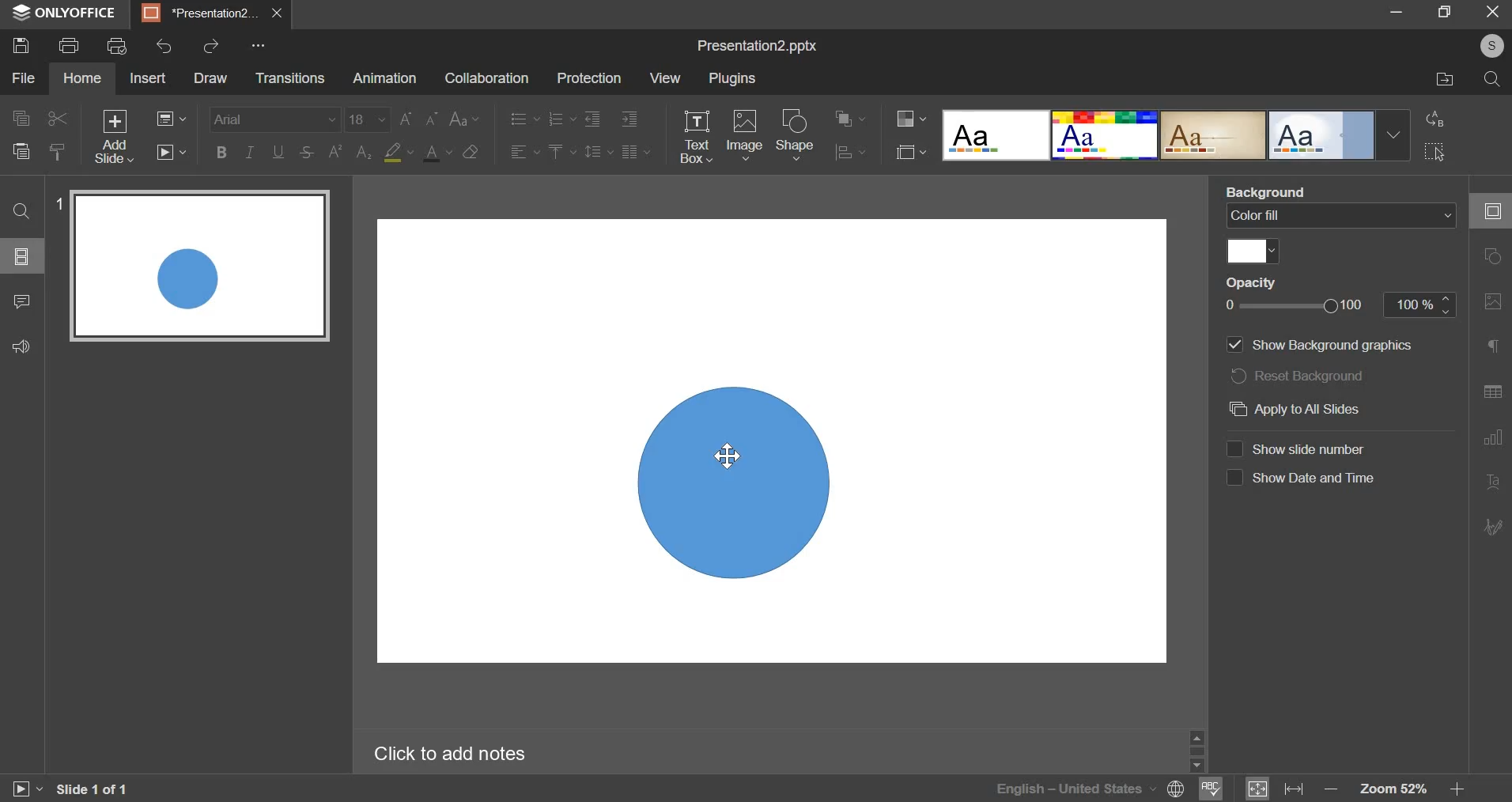 The image size is (1512, 802). Describe the element at coordinates (464, 119) in the screenshot. I see `change case` at that location.